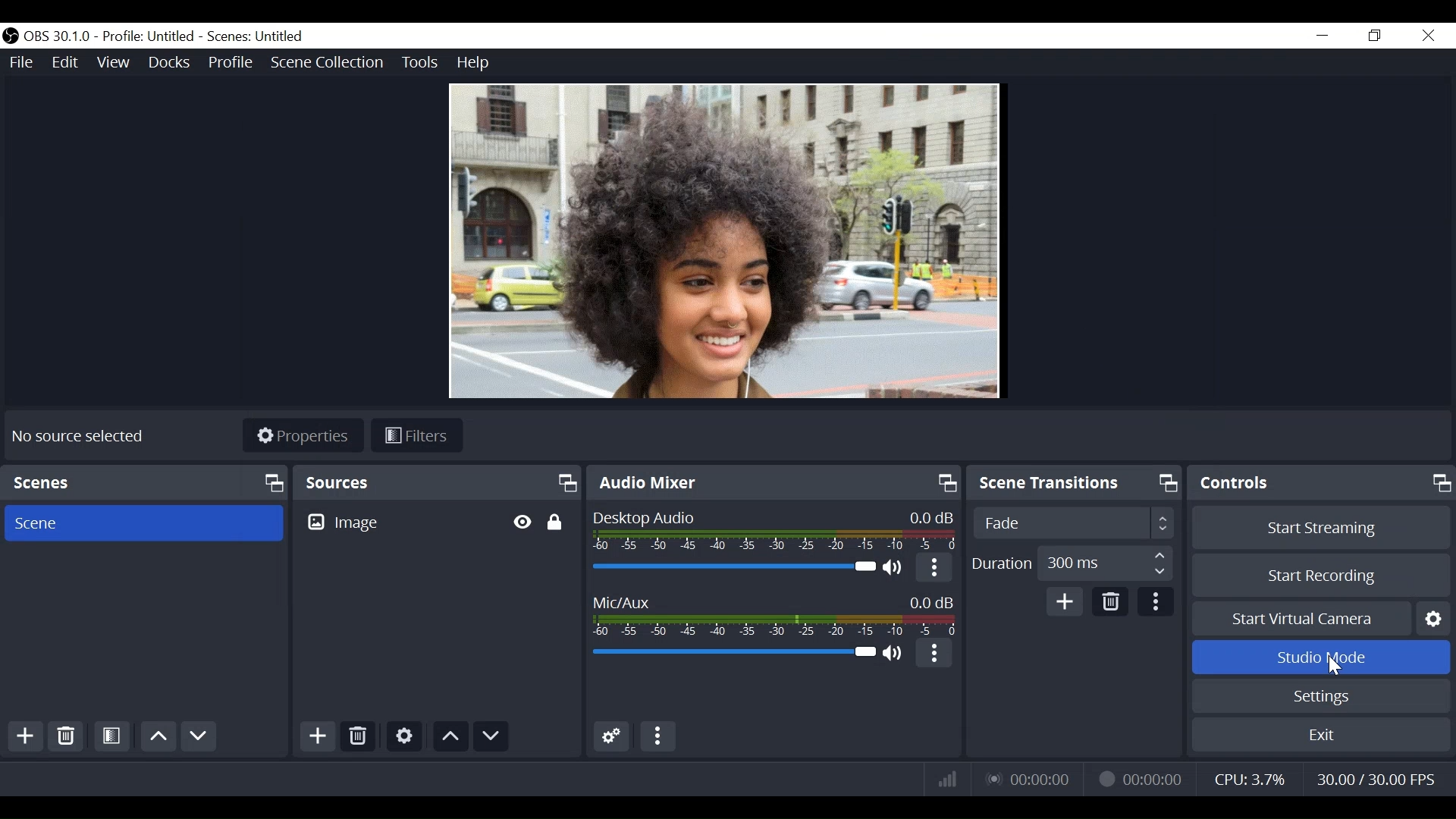 Image resolution: width=1456 pixels, height=819 pixels. I want to click on Gear, so click(612, 736).